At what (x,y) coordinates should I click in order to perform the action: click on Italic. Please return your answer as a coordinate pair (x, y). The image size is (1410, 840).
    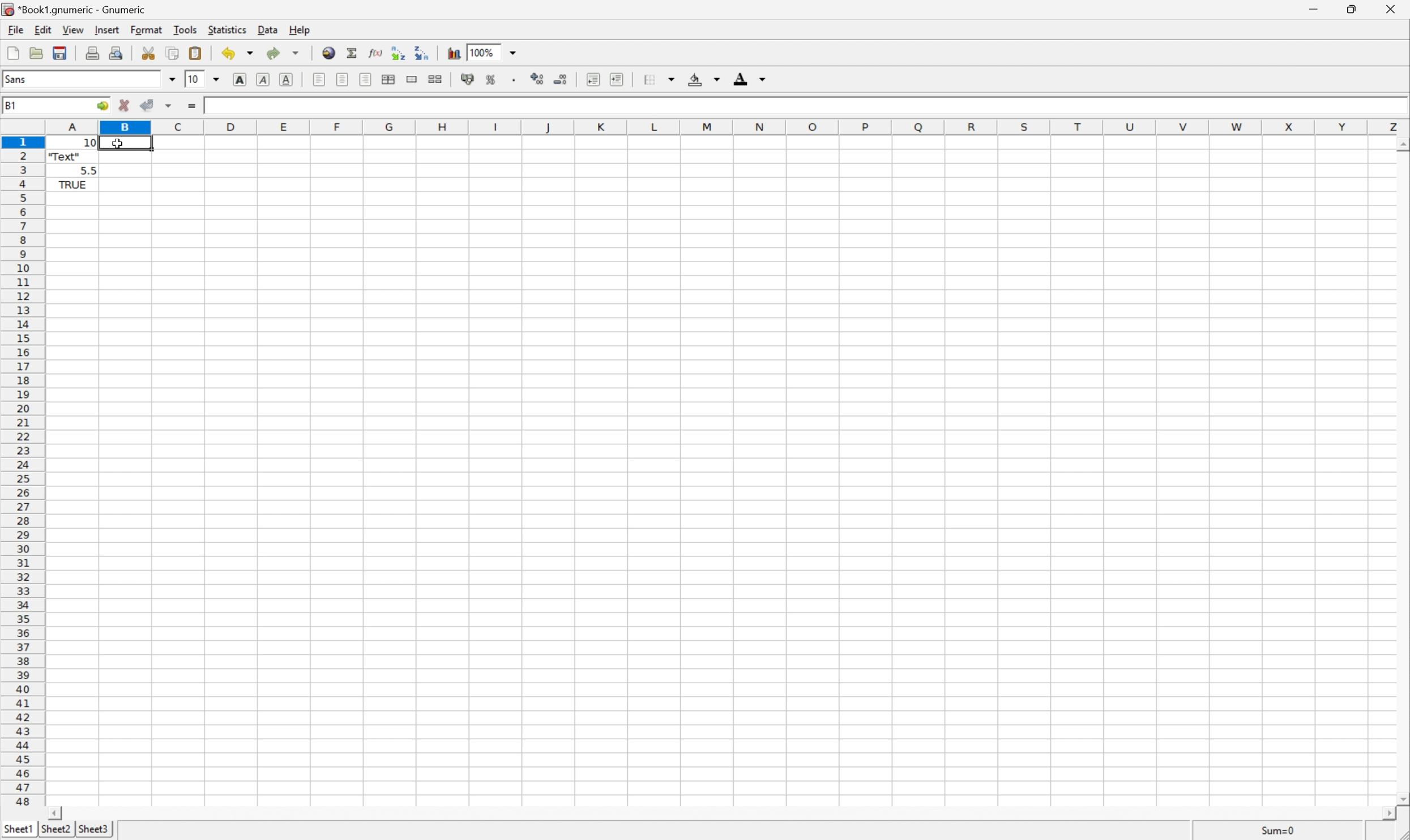
    Looking at the image, I should click on (262, 80).